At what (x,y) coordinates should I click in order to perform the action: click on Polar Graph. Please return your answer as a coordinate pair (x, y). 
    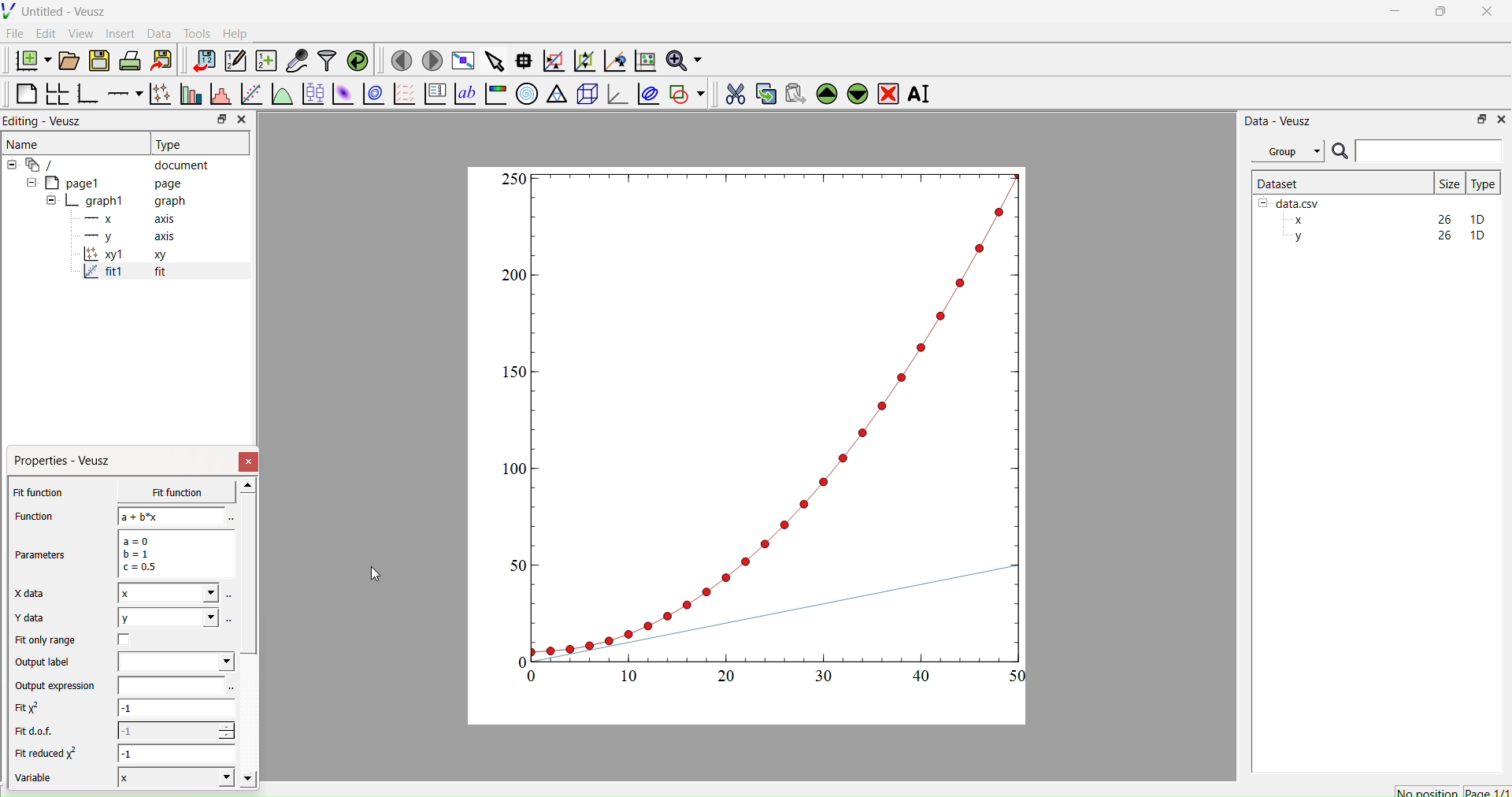
    Looking at the image, I should click on (527, 94).